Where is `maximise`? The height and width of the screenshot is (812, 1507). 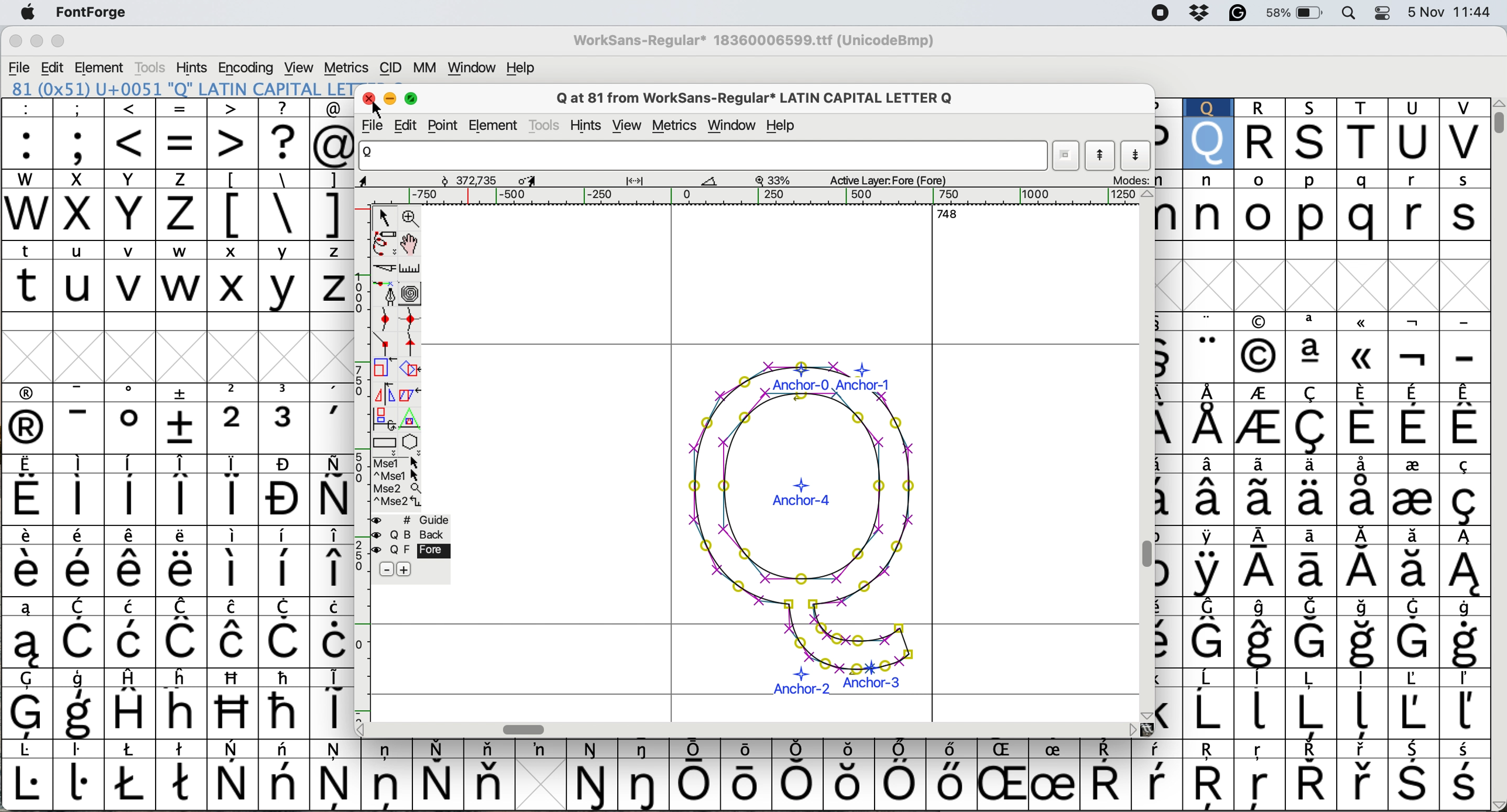
maximise is located at coordinates (413, 99).